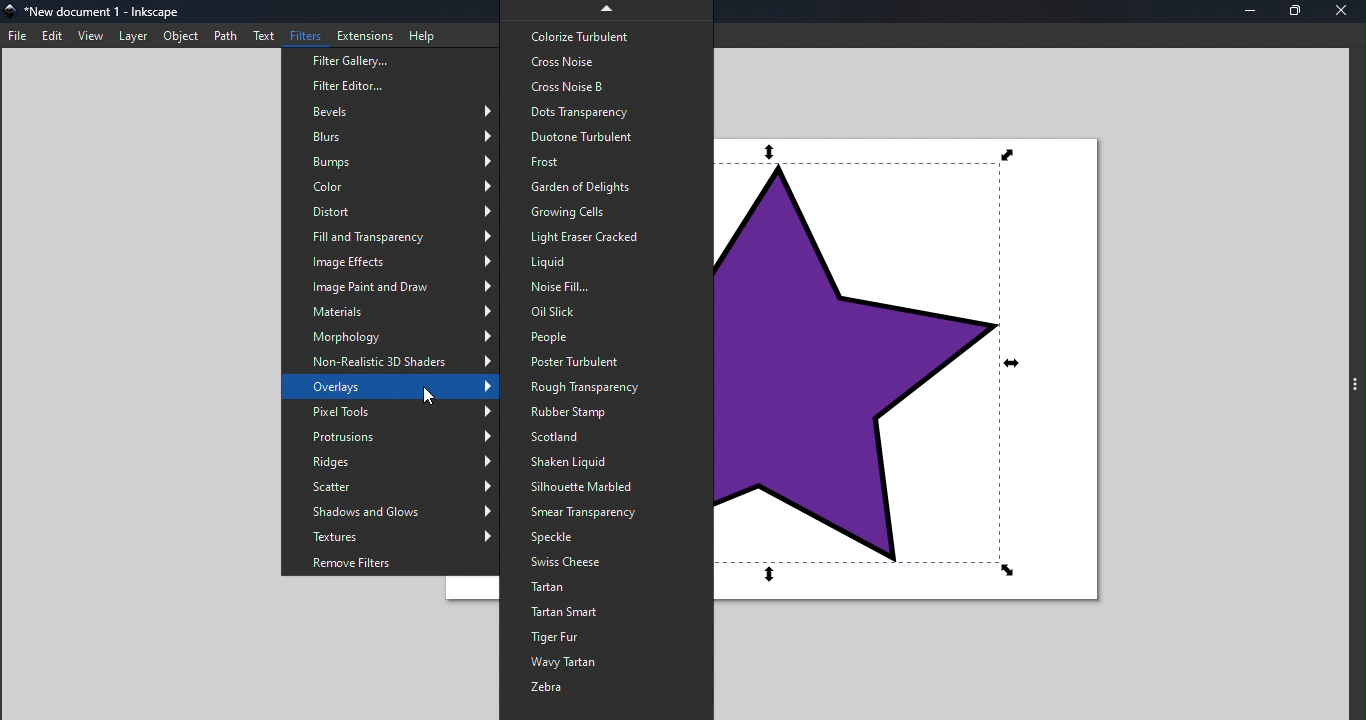  Describe the element at coordinates (603, 388) in the screenshot. I see `Rough transparency` at that location.